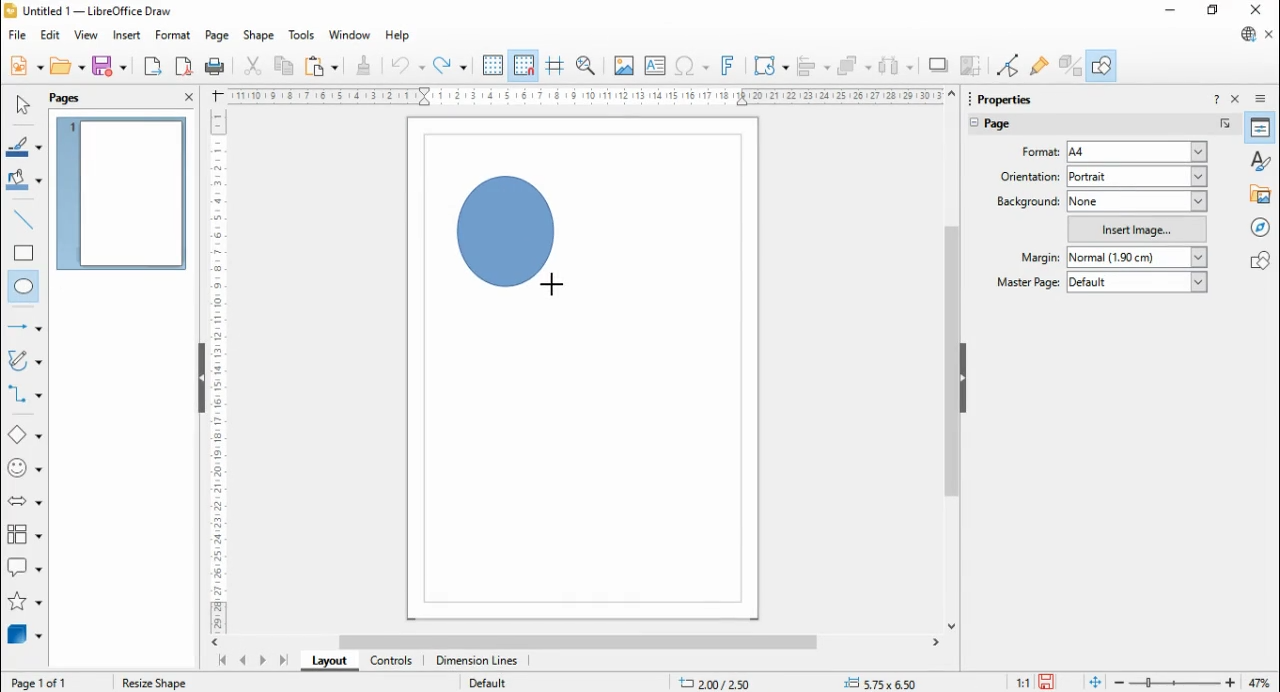 This screenshot has width=1280, height=692. What do you see at coordinates (328, 660) in the screenshot?
I see `layout` at bounding box center [328, 660].